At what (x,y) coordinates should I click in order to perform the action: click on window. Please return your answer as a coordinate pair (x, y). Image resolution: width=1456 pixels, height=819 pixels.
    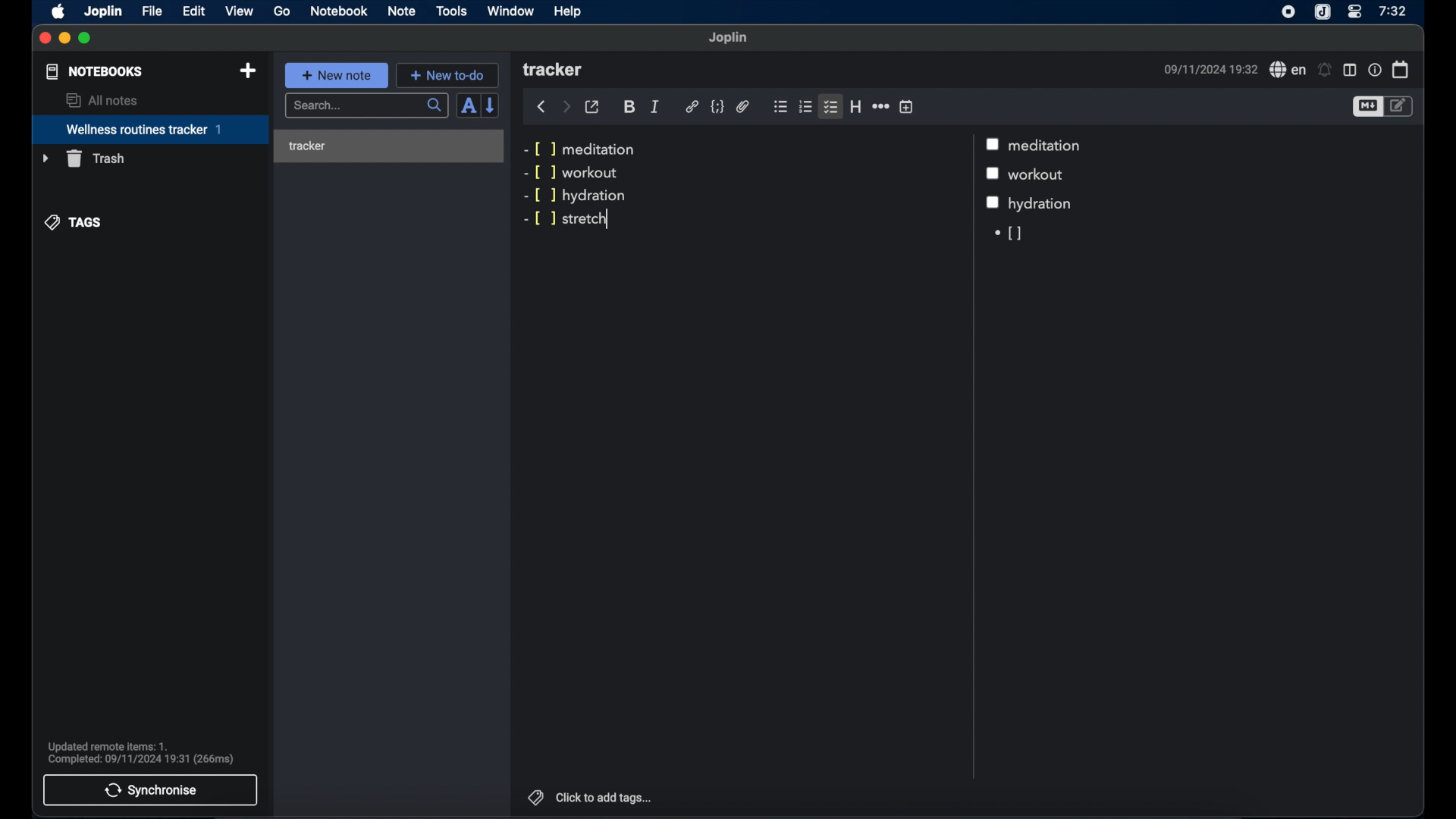
    Looking at the image, I should click on (511, 11).